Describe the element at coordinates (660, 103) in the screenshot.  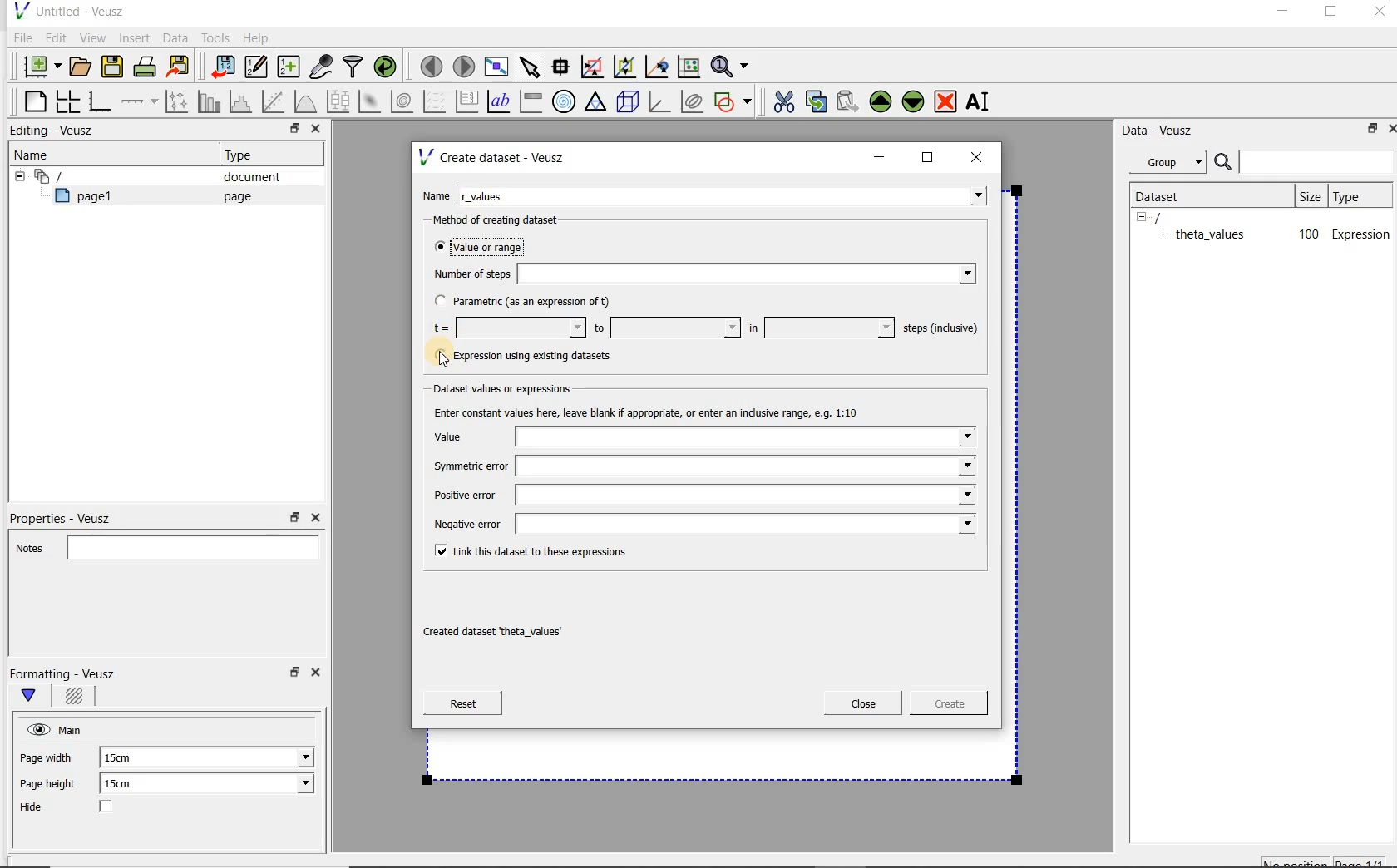
I see `3d graph` at that location.